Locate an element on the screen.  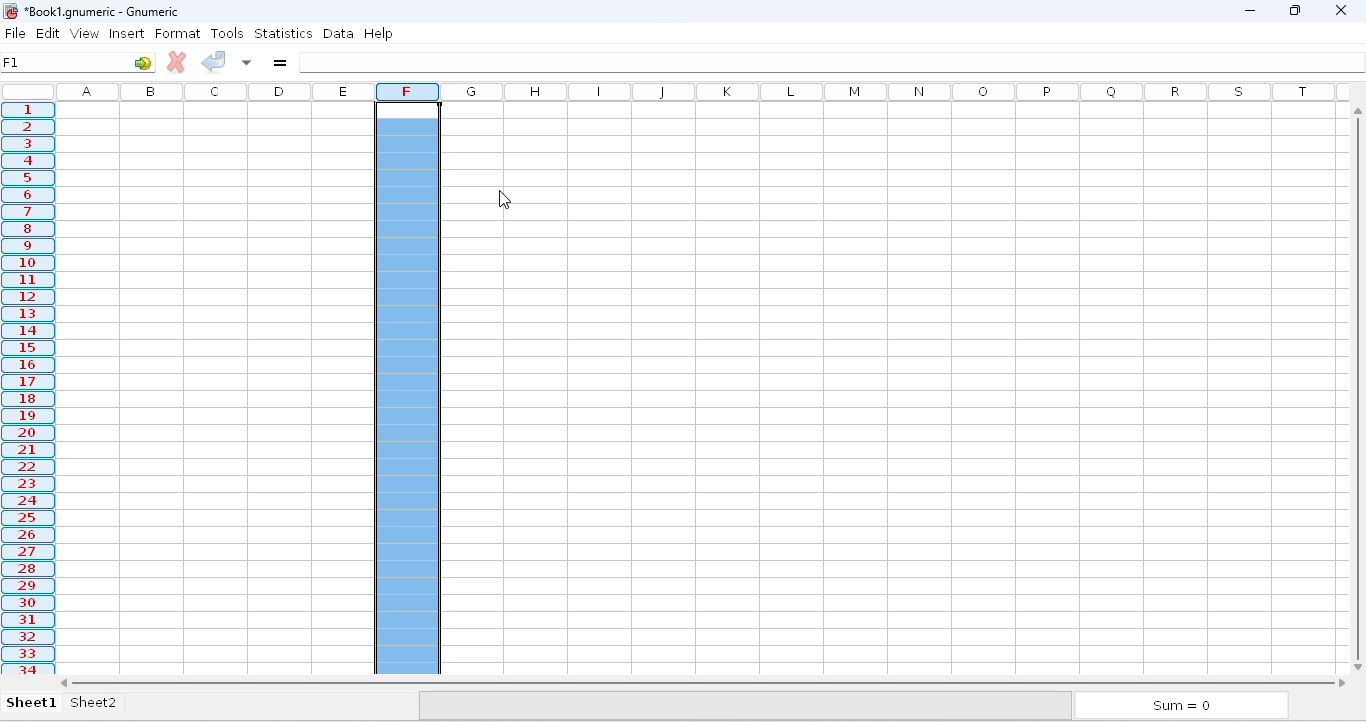
enter formula is located at coordinates (280, 62).